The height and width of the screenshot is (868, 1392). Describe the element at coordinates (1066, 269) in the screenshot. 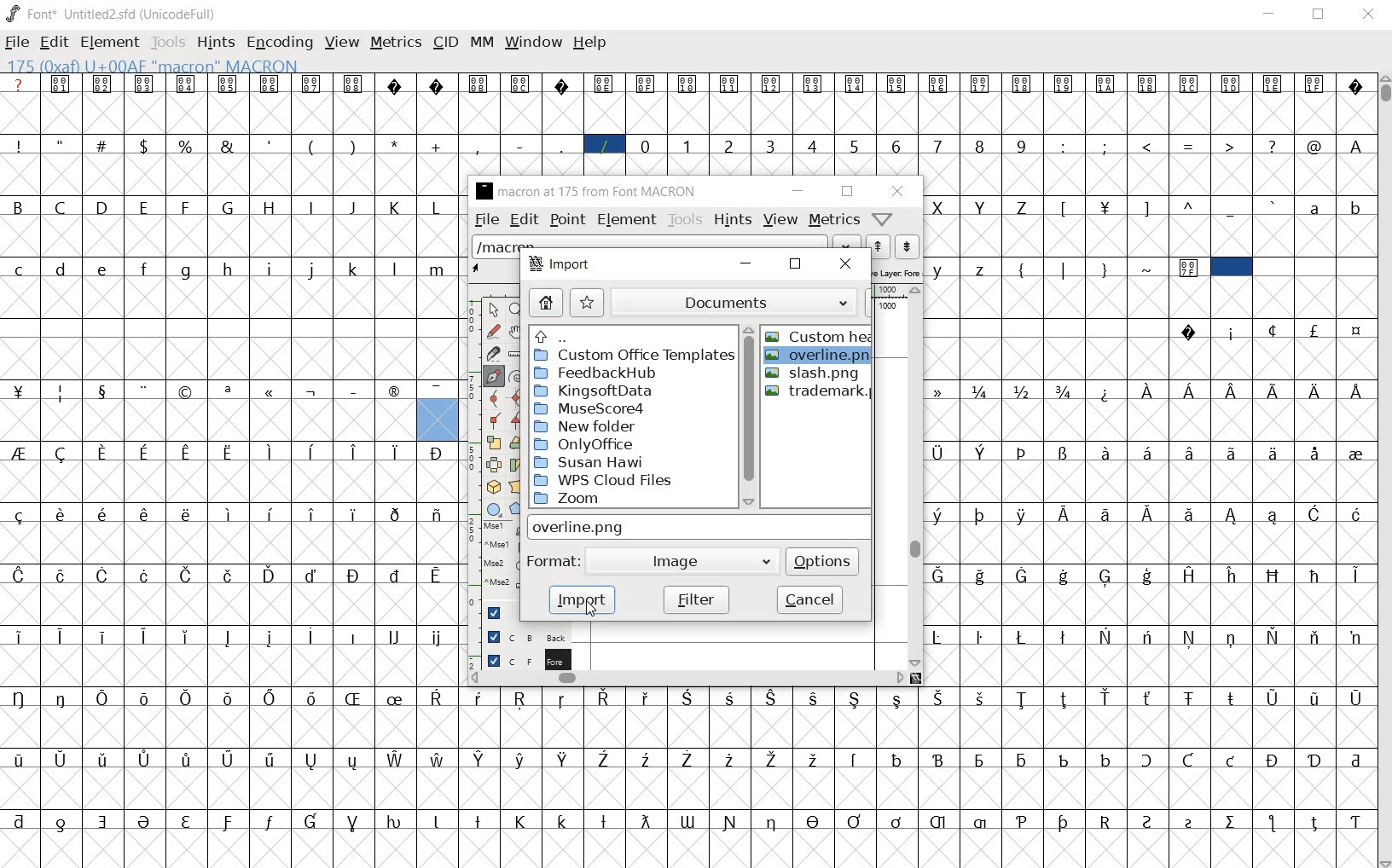

I see `|` at that location.